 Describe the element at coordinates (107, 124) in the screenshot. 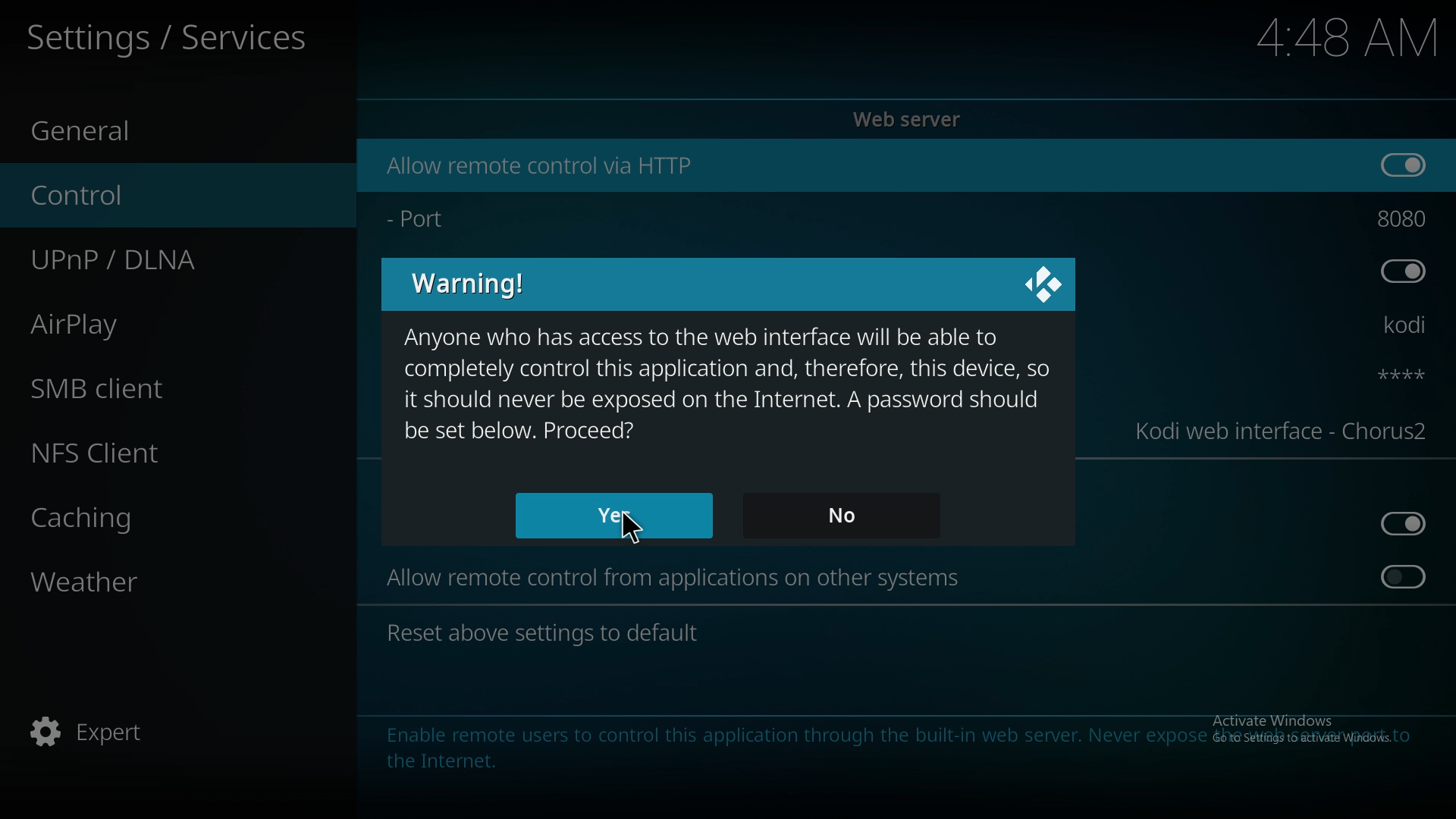

I see `general` at that location.